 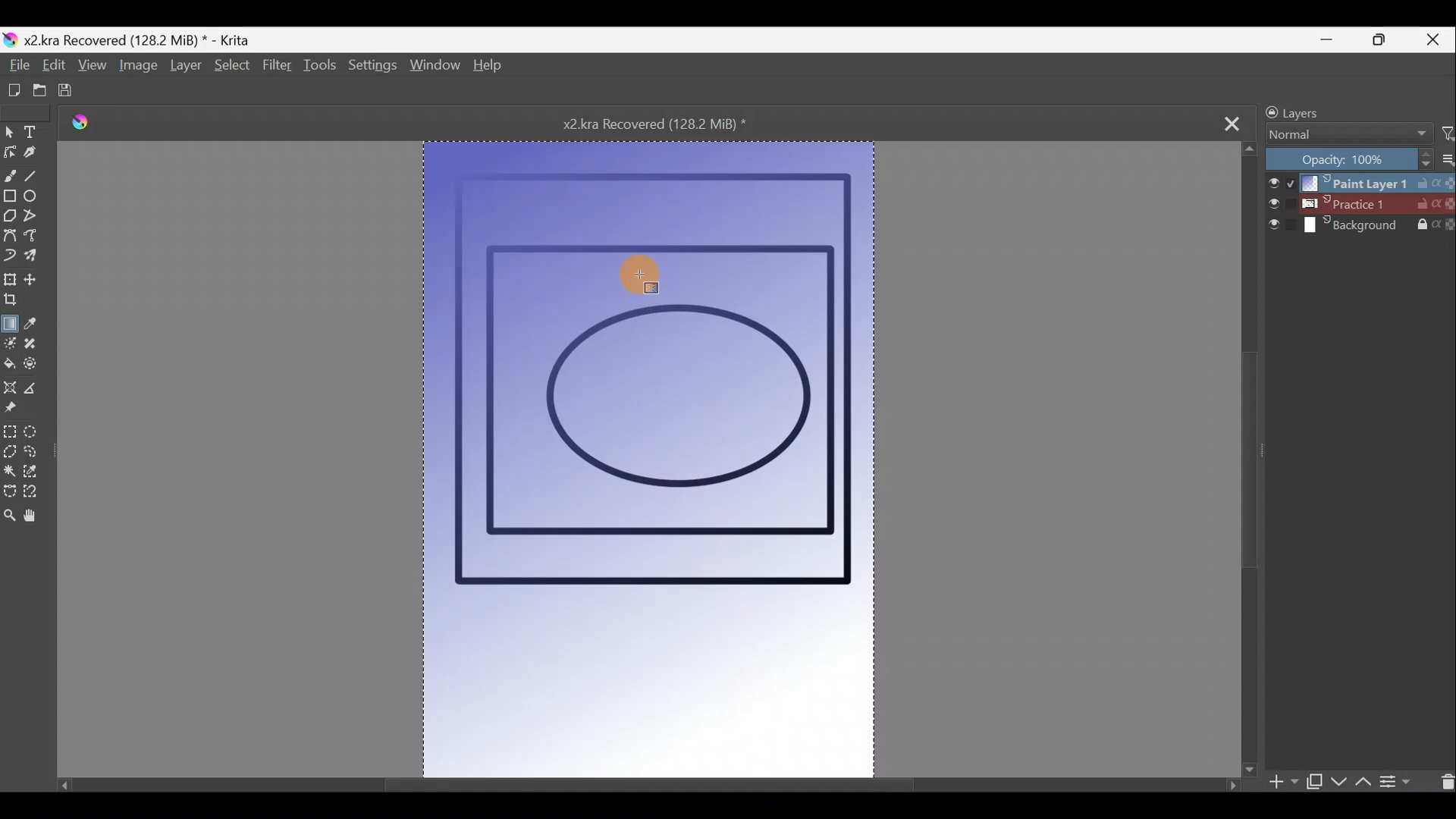 I want to click on Document name, so click(x=670, y=123).